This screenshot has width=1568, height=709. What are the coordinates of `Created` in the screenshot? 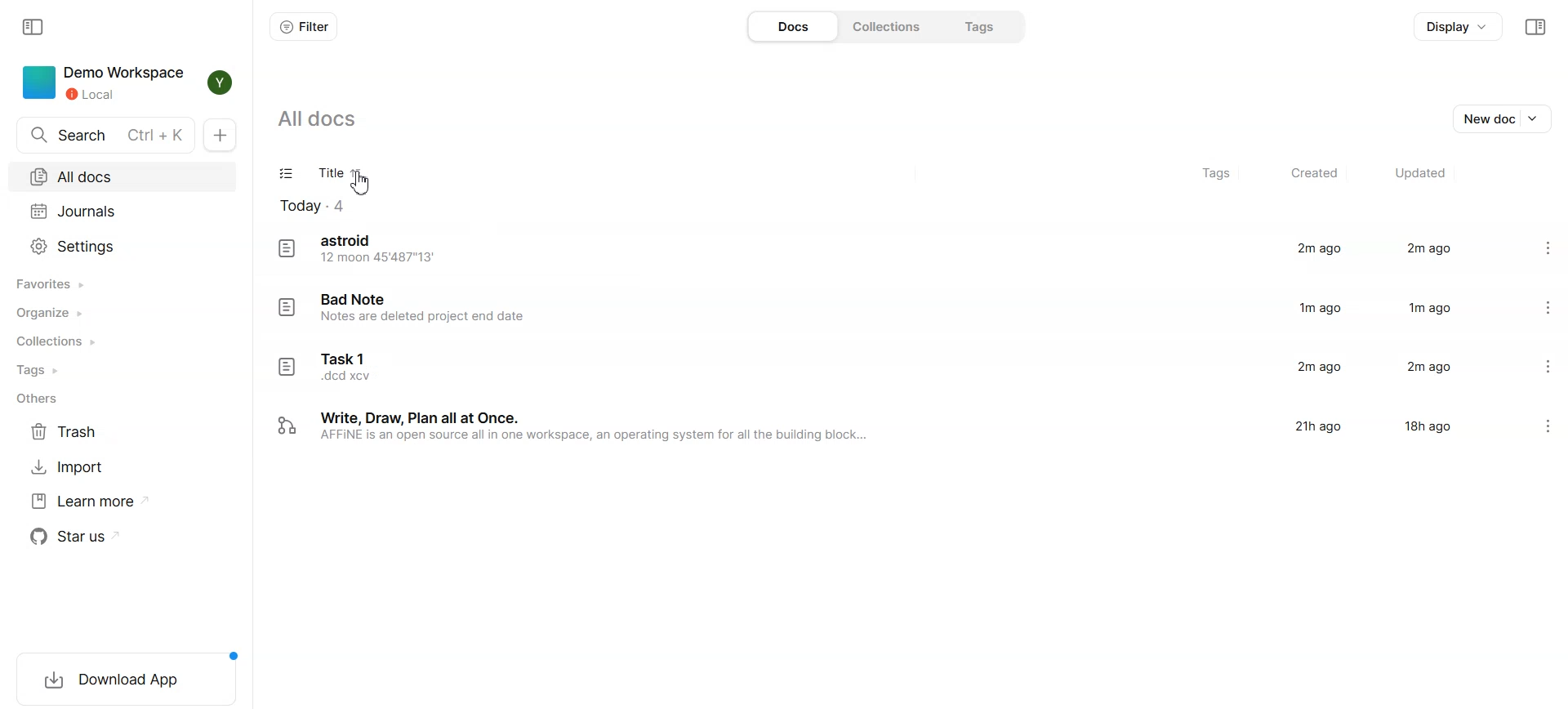 It's located at (1314, 174).